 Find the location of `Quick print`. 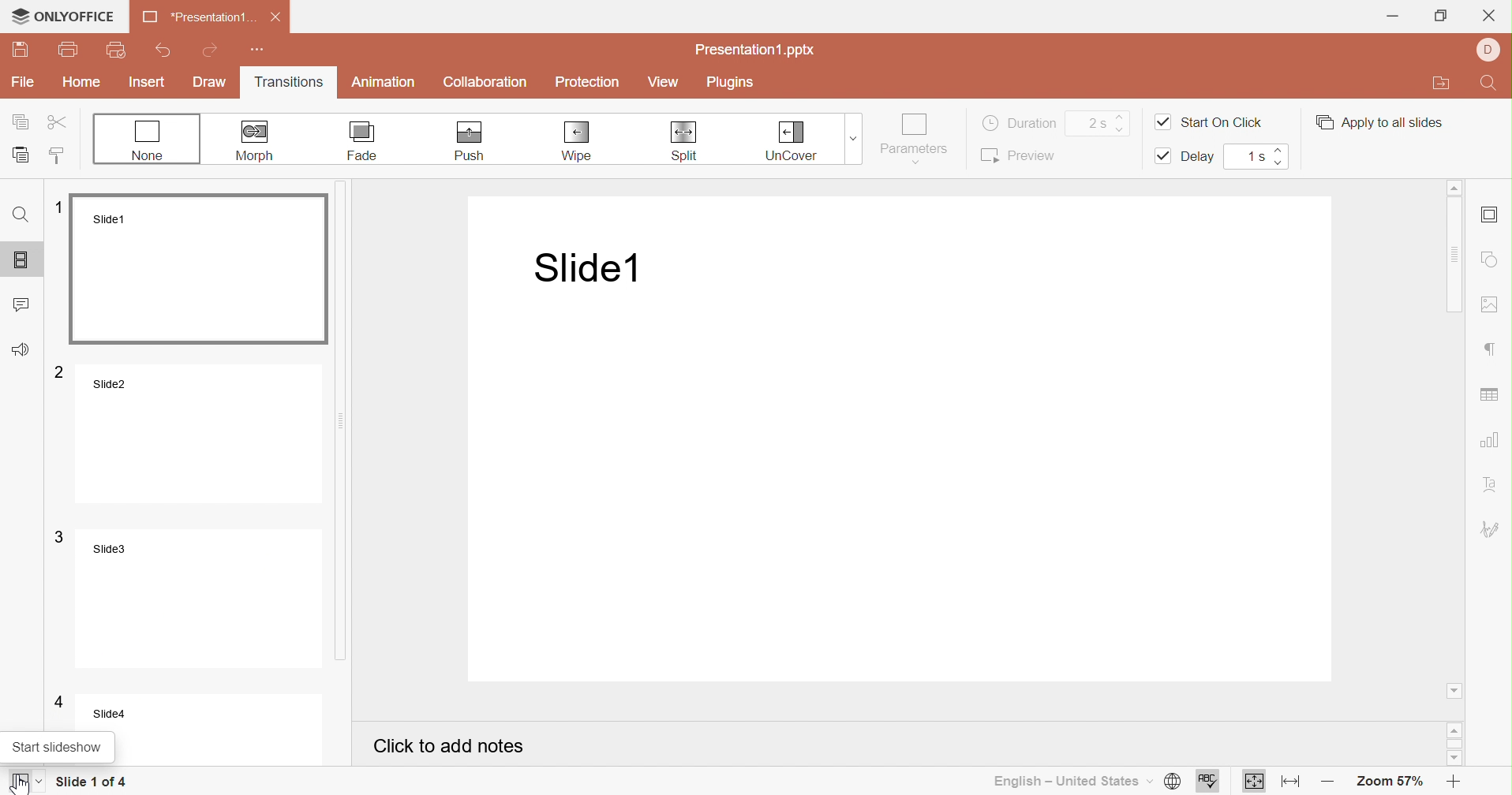

Quick print is located at coordinates (116, 50).